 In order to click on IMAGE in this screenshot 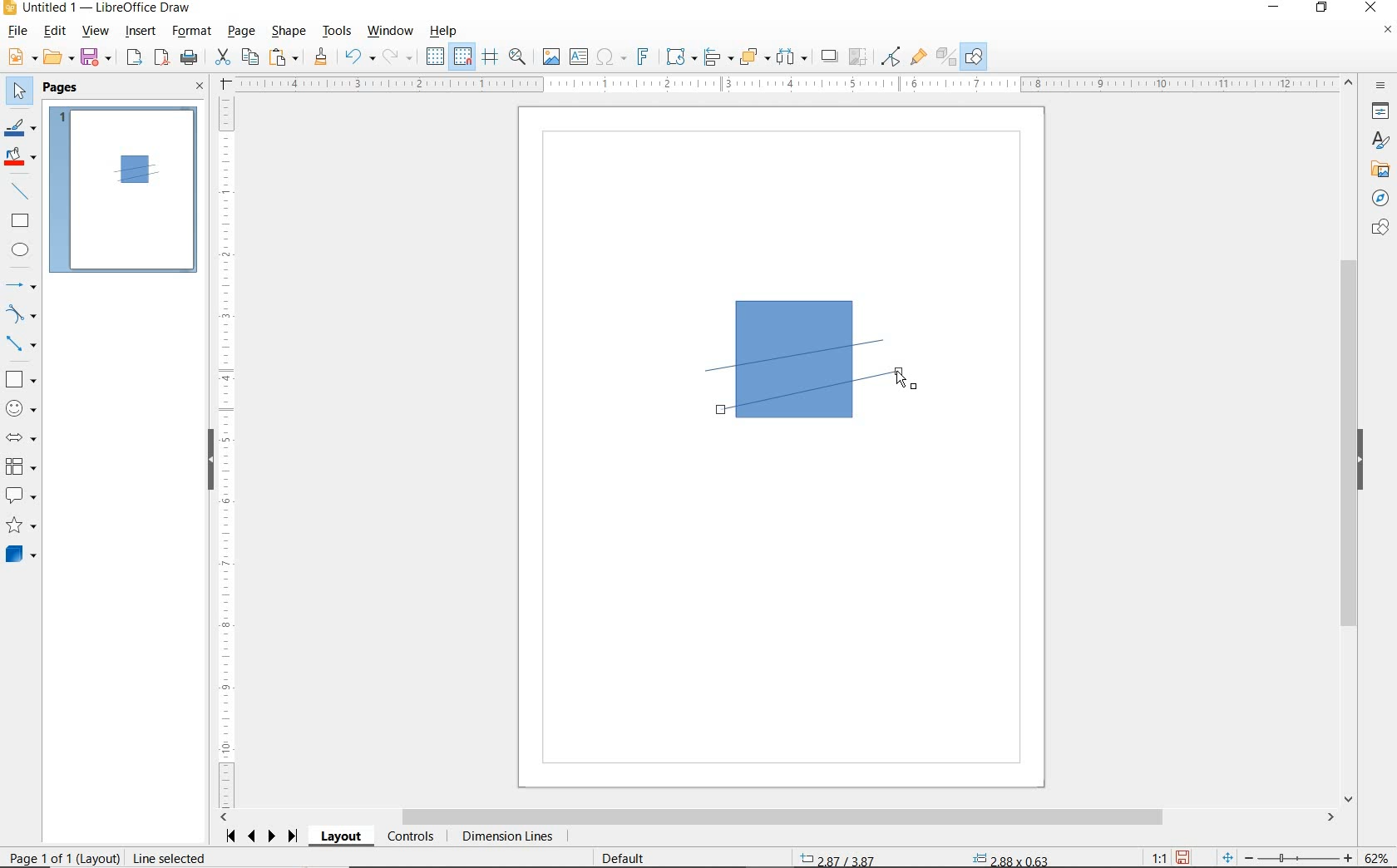, I will do `click(550, 56)`.